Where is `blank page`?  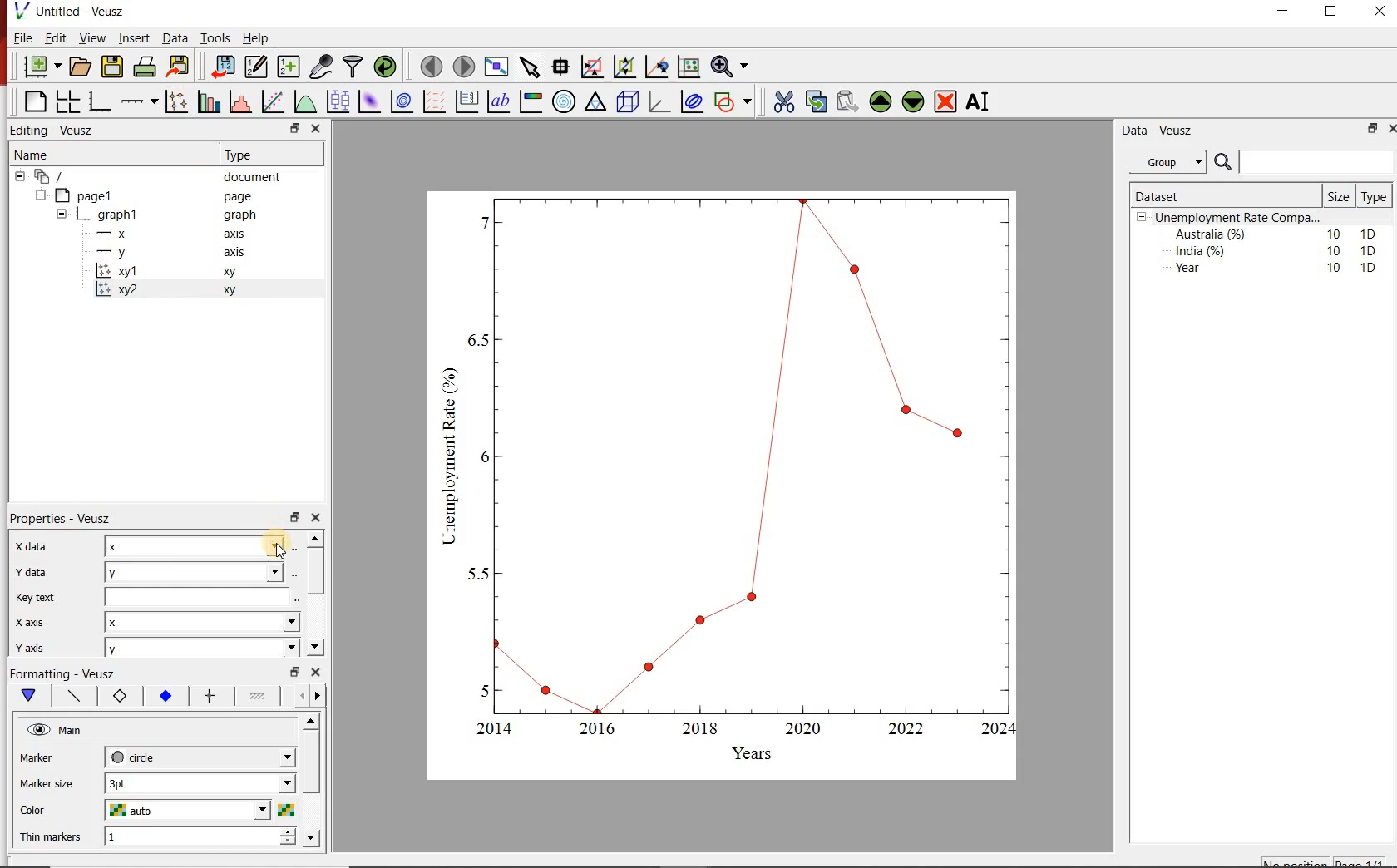
blank page is located at coordinates (34, 100).